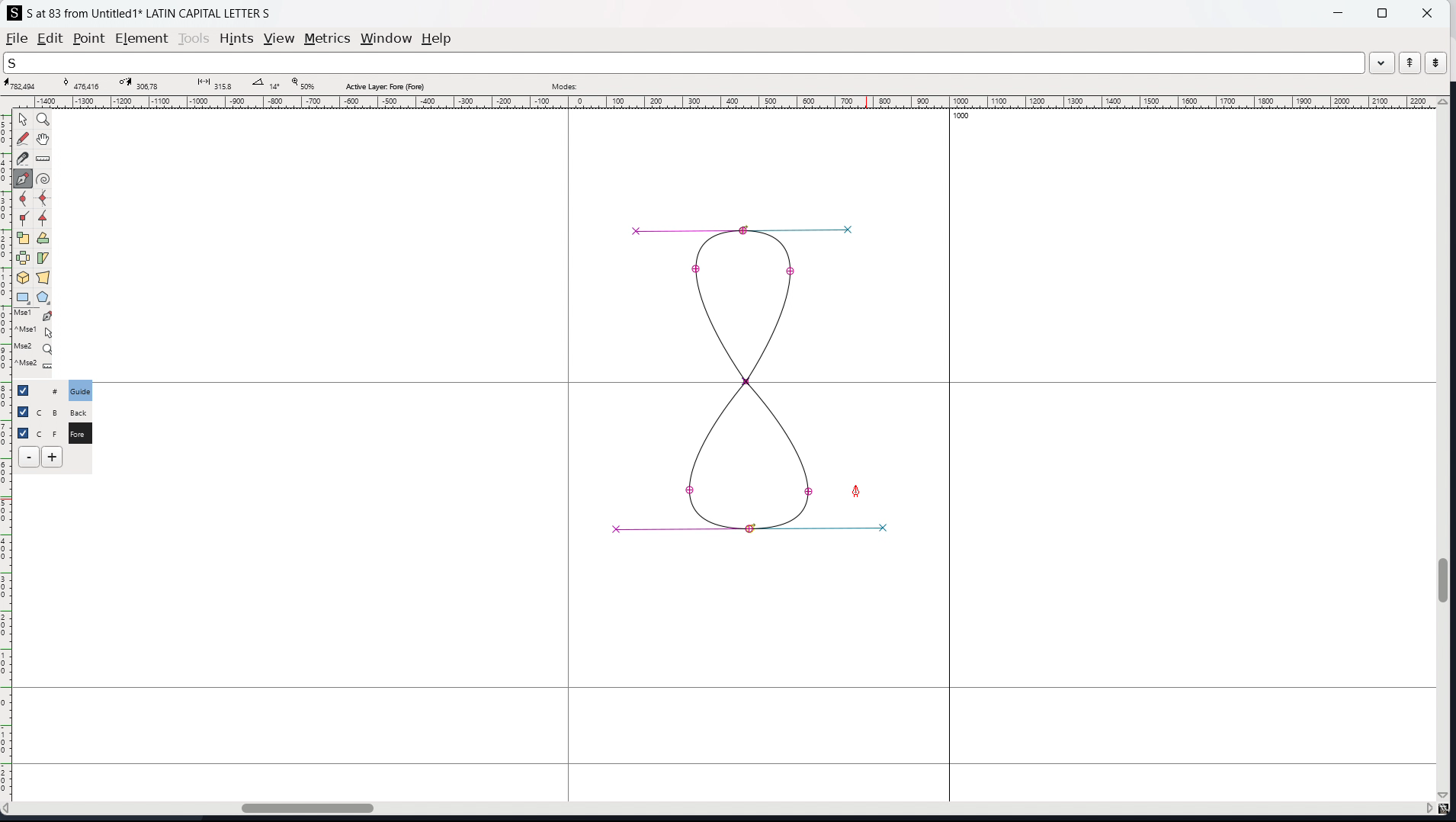  Describe the element at coordinates (720, 102) in the screenshot. I see `horizontal ruler` at that location.